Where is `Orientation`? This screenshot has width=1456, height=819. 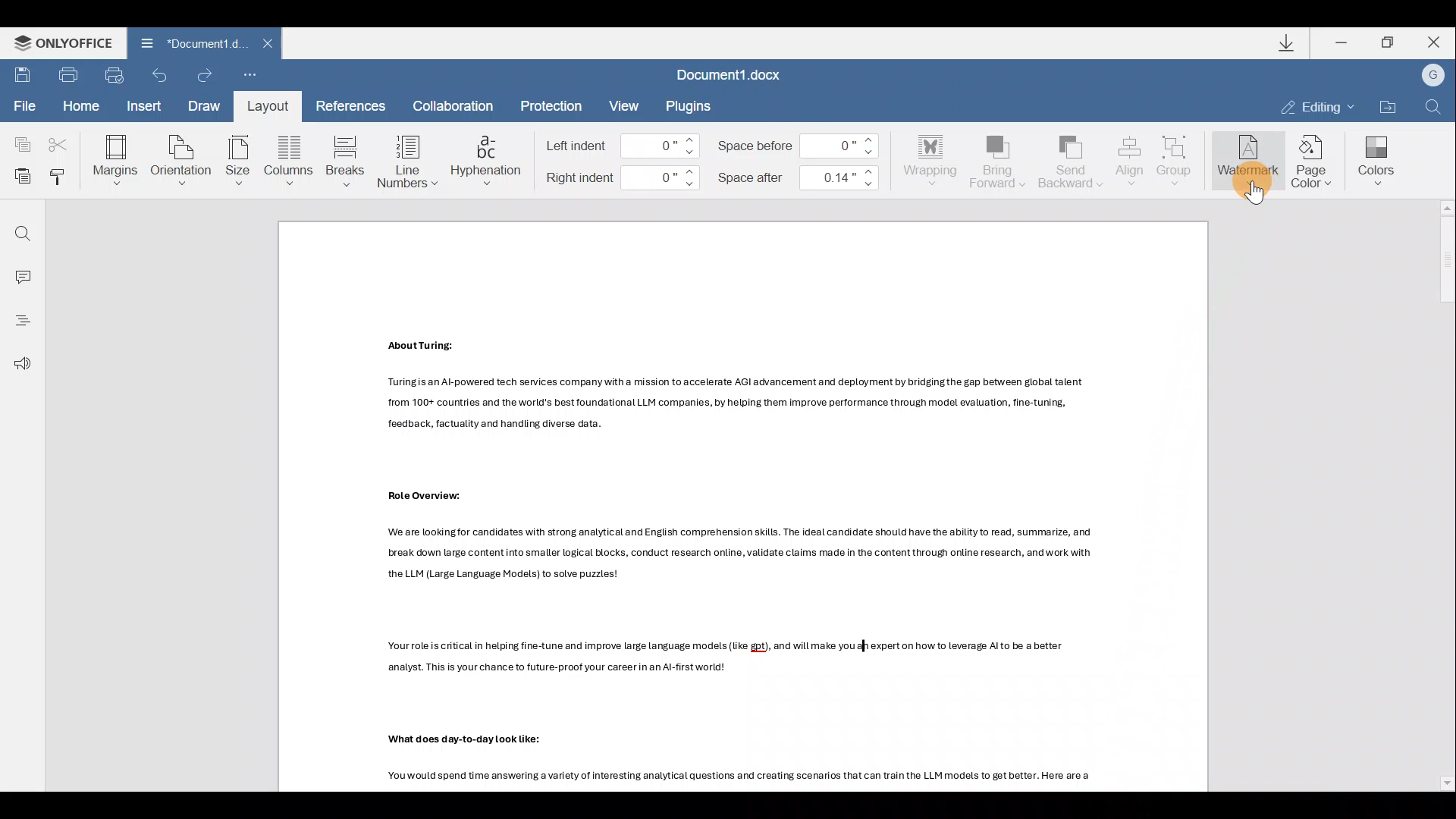 Orientation is located at coordinates (183, 158).